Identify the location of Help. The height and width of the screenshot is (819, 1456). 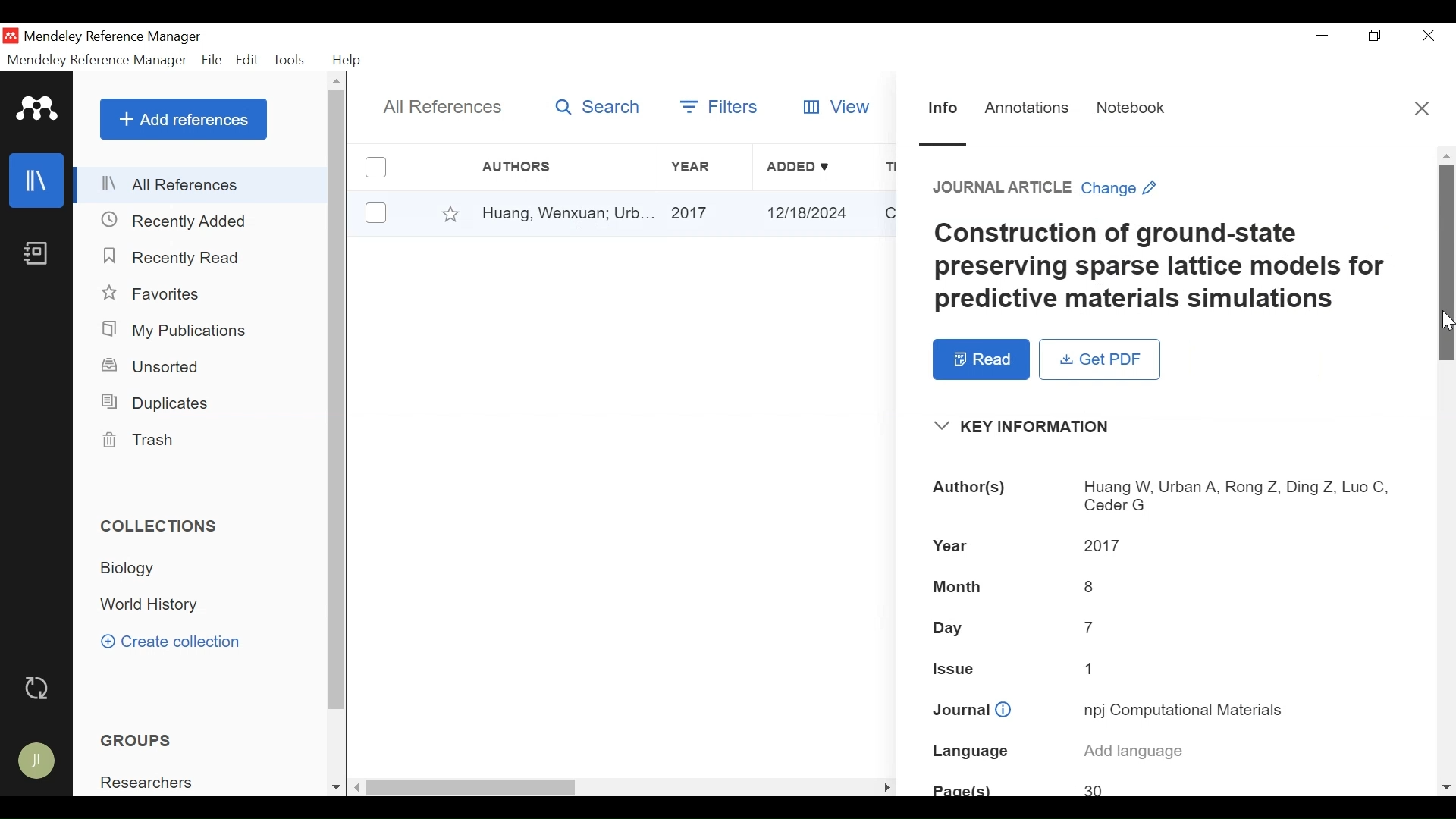
(349, 60).